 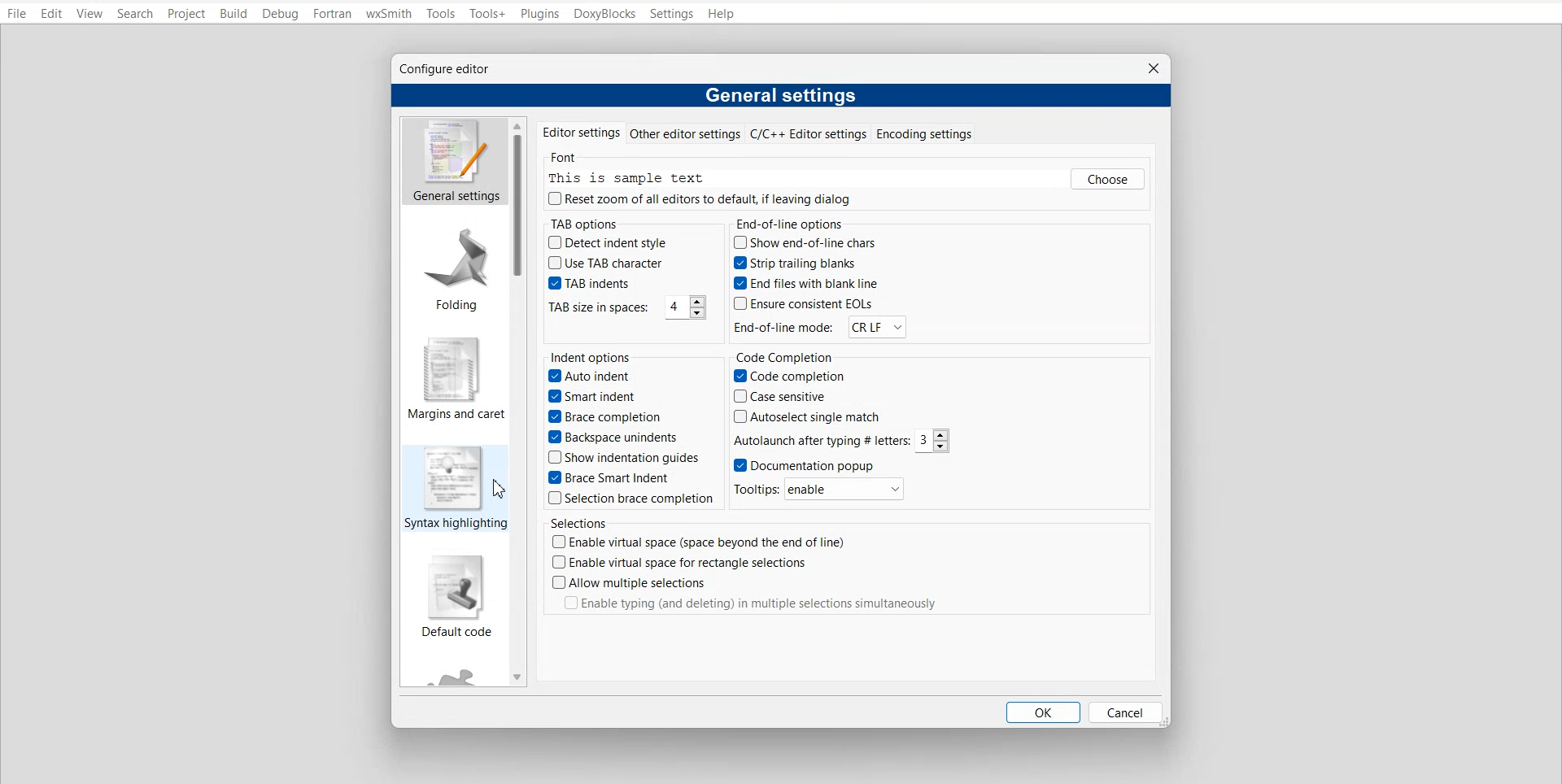 I want to click on Case sensitive, so click(x=781, y=395).